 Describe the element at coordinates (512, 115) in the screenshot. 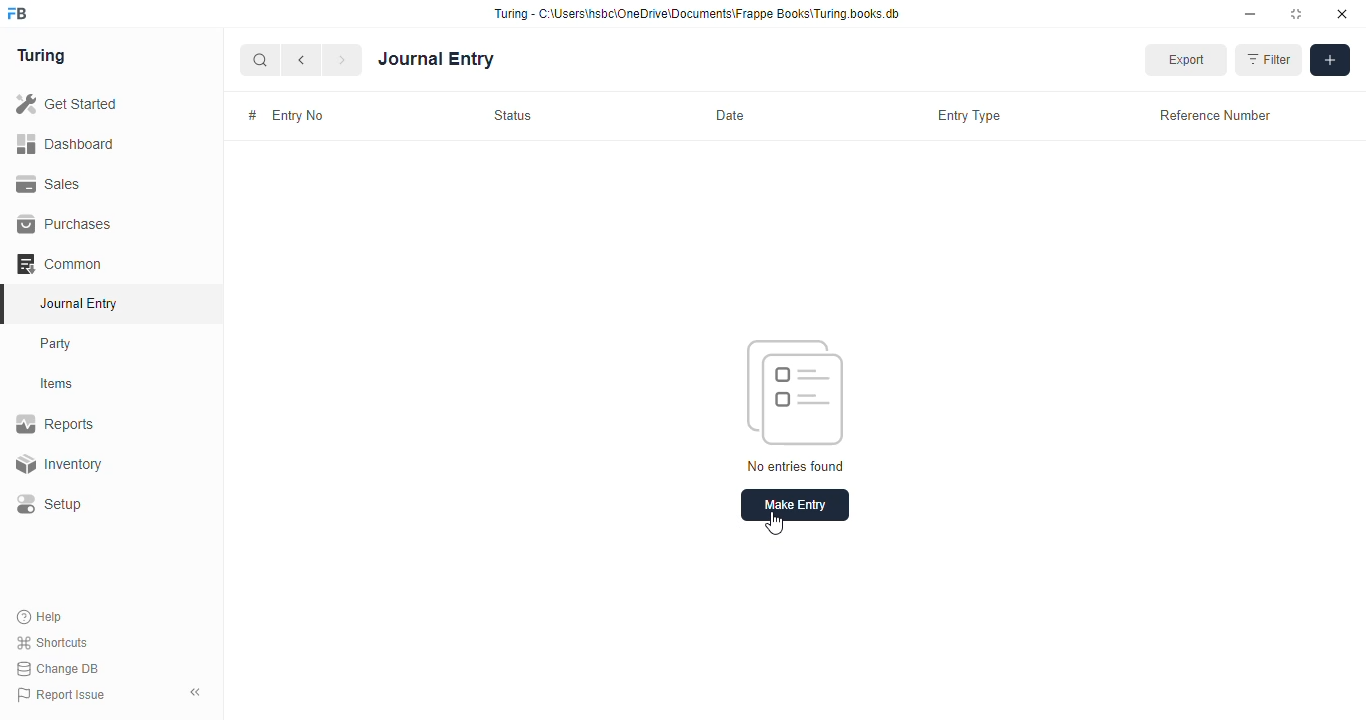

I see `status` at that location.